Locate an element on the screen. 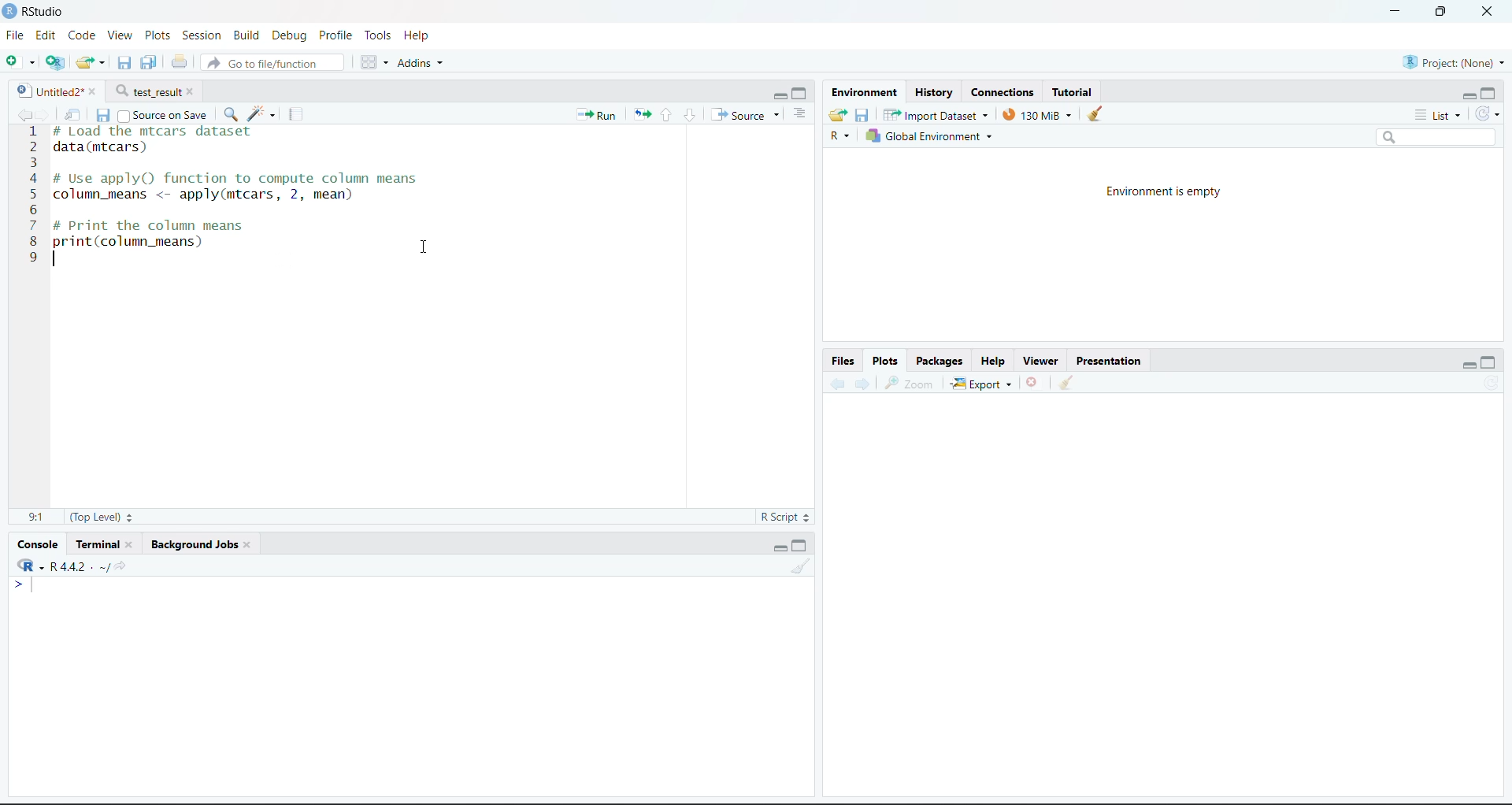 The image size is (1512, 805). Load workspace is located at coordinates (836, 116).